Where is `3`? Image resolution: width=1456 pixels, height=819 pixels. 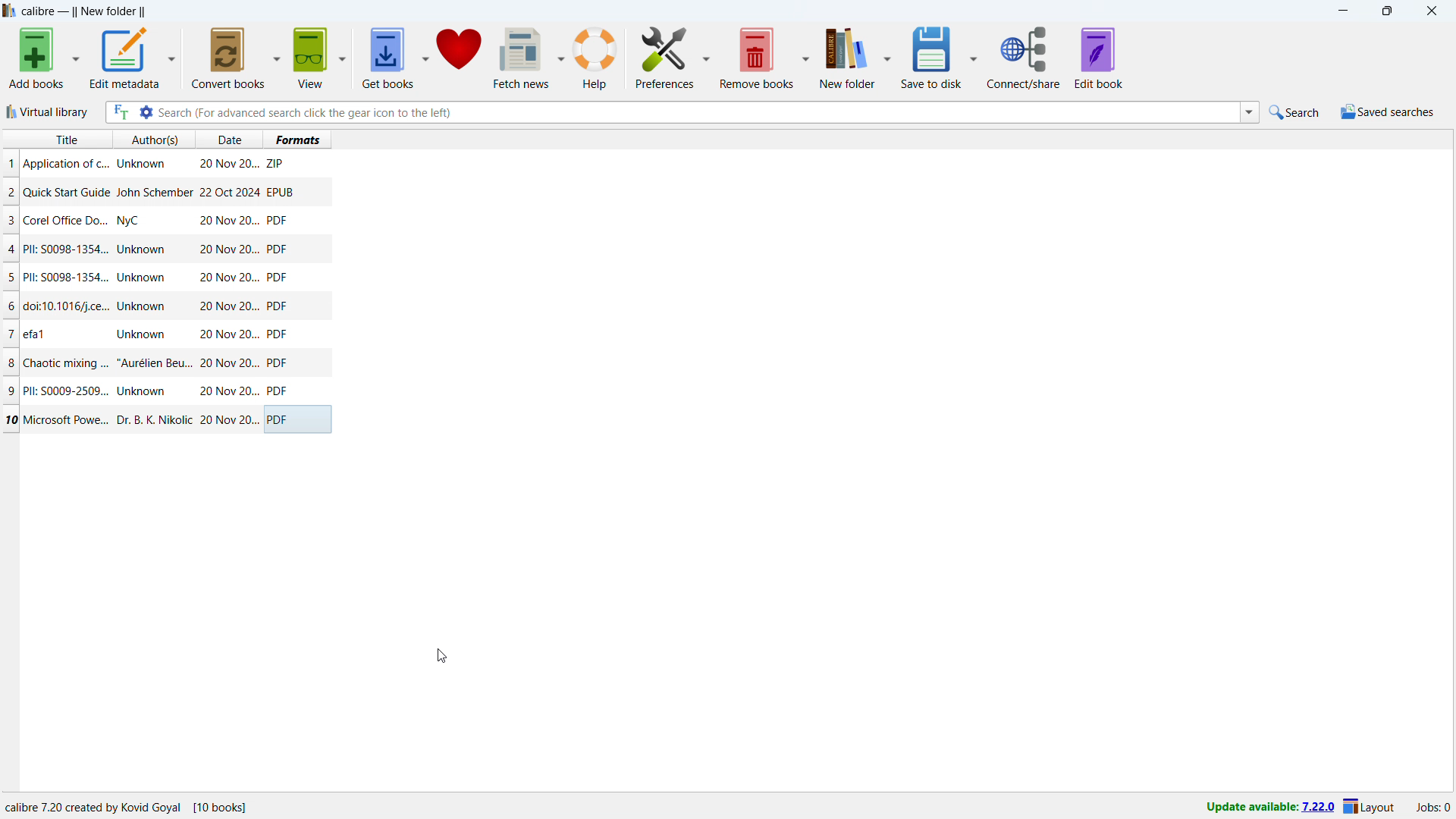 3 is located at coordinates (11, 221).